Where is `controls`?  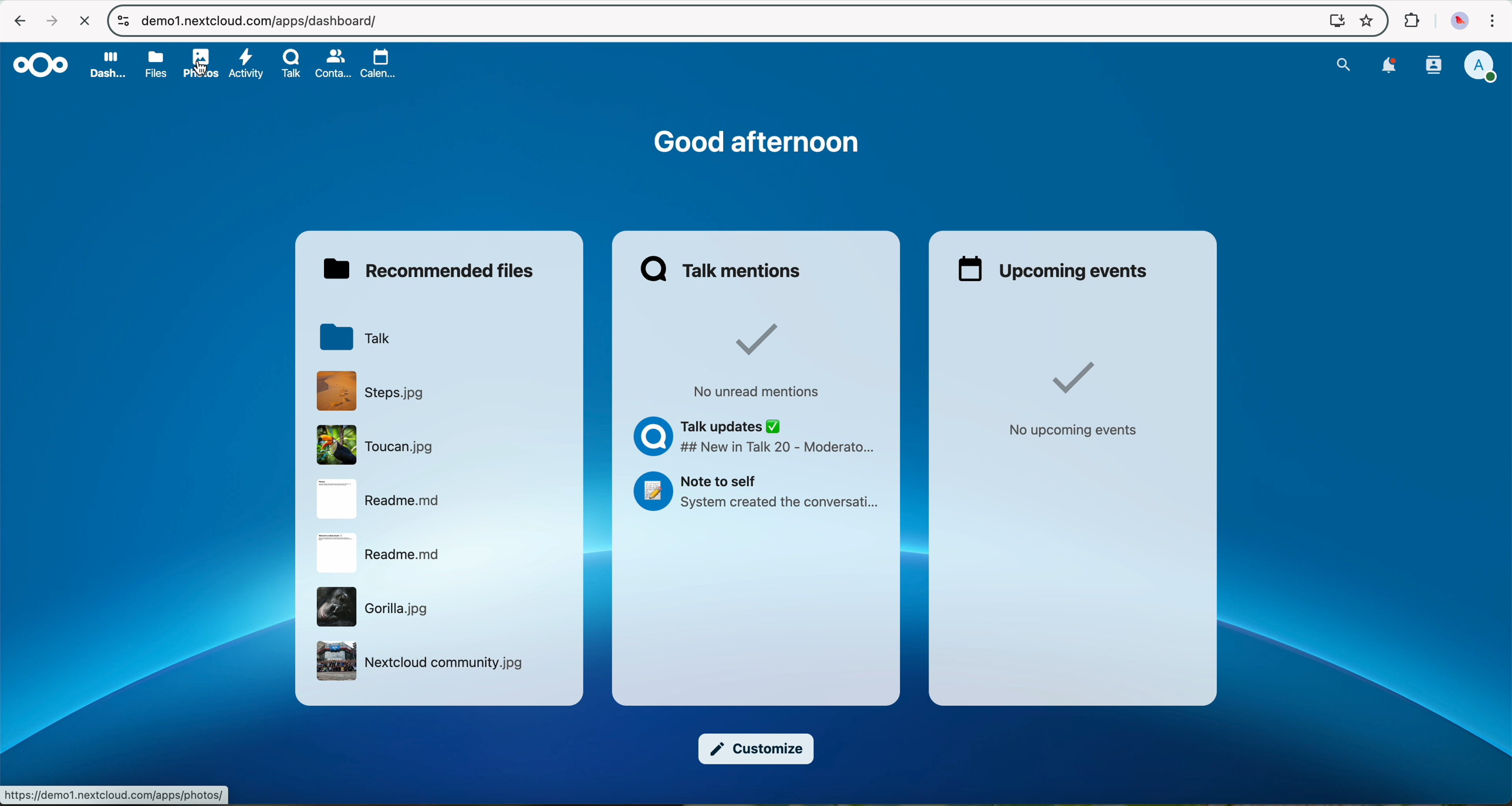 controls is located at coordinates (123, 20).